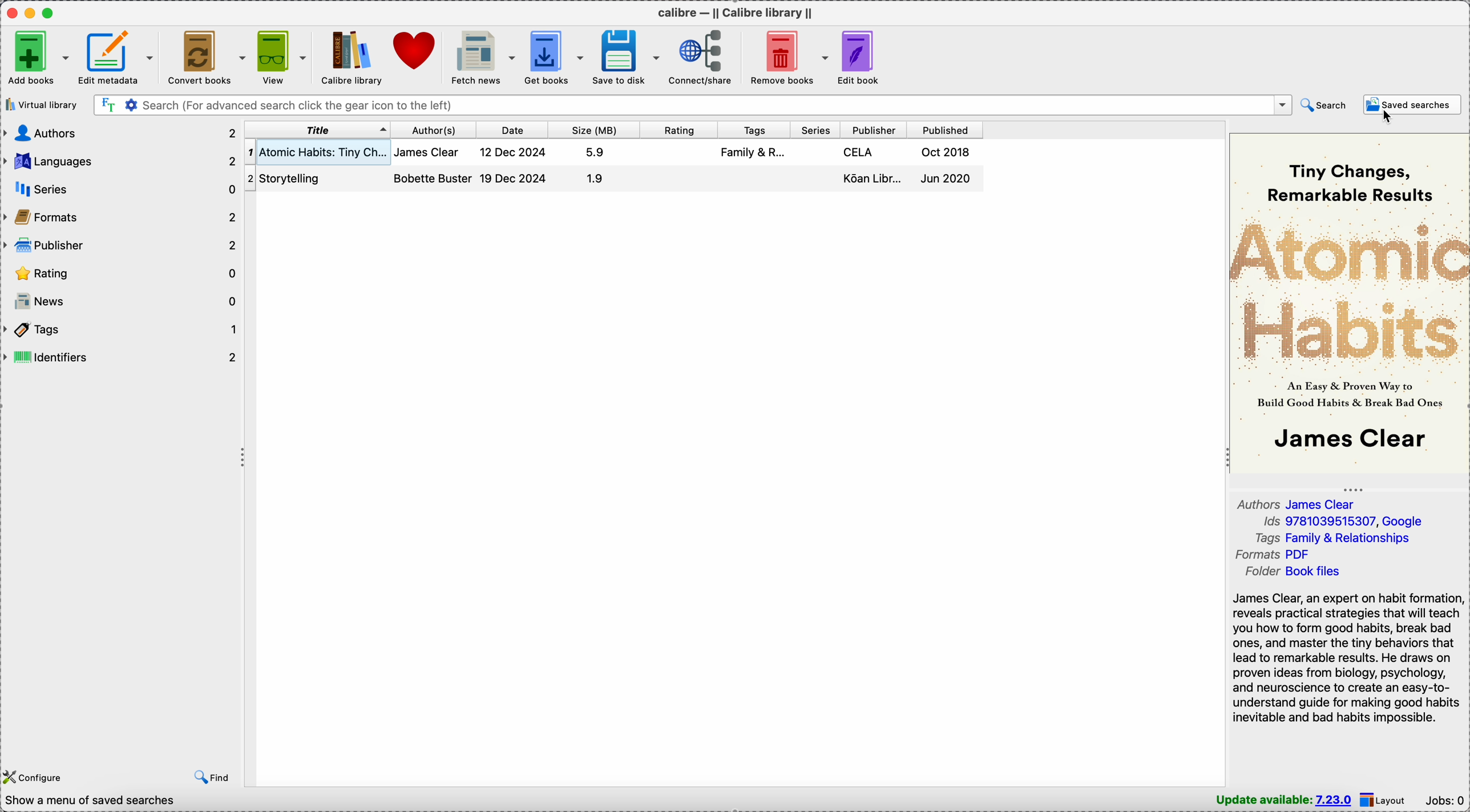  What do you see at coordinates (1297, 572) in the screenshot?
I see `folder: book files` at bounding box center [1297, 572].